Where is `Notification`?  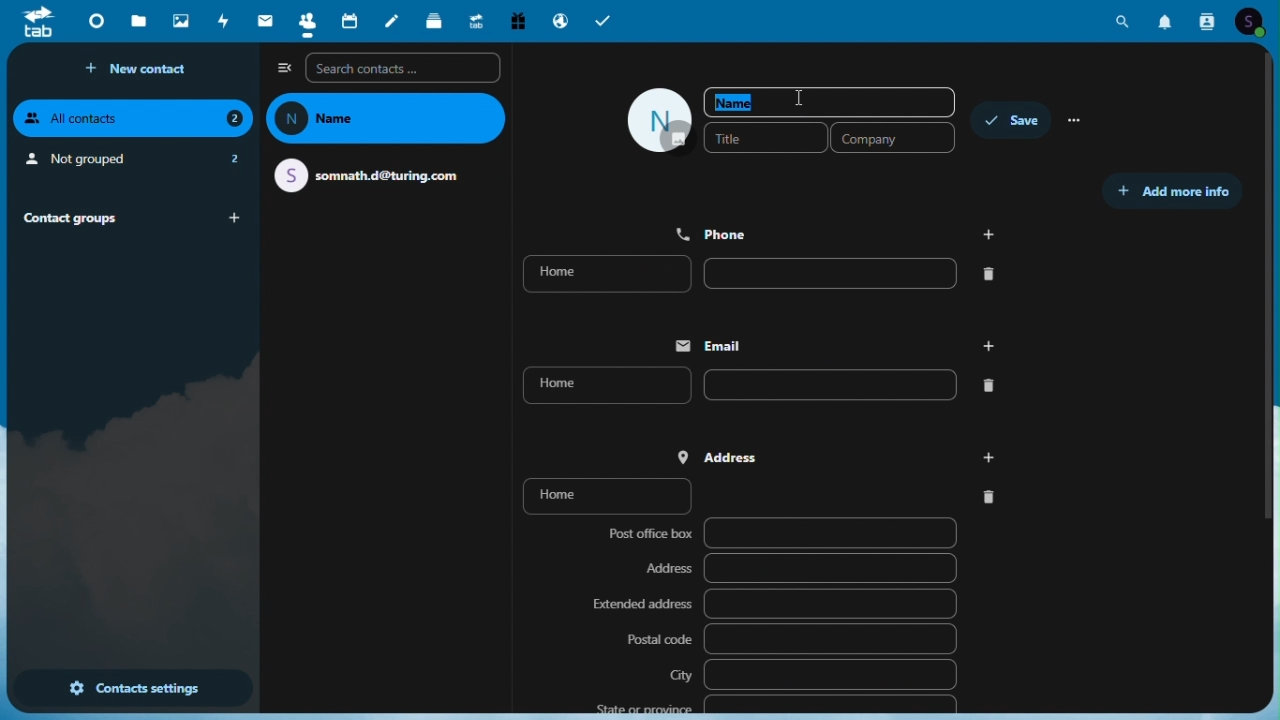 Notification is located at coordinates (1166, 24).